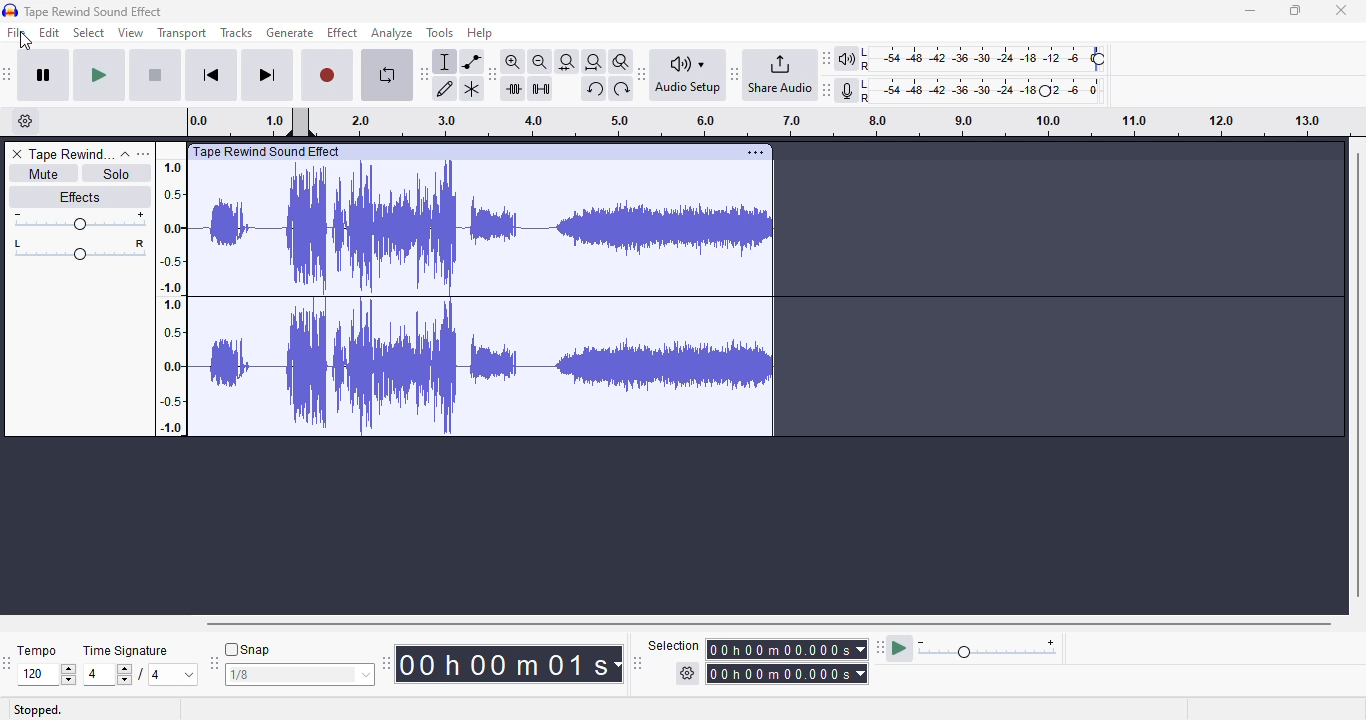 The width and height of the screenshot is (1366, 720). I want to click on audacity share audio toolbar, so click(774, 76).